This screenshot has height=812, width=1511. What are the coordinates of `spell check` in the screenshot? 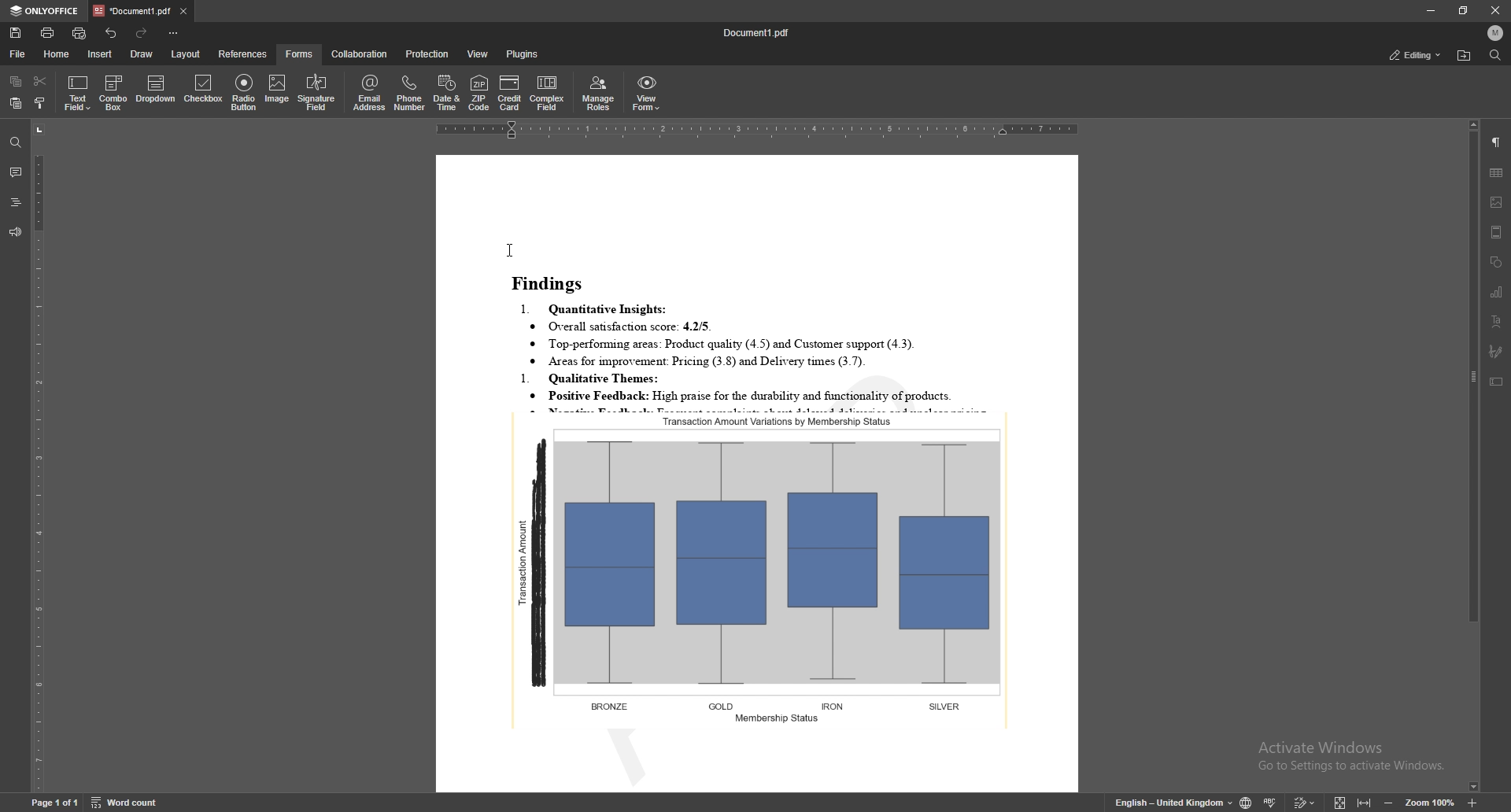 It's located at (1269, 802).